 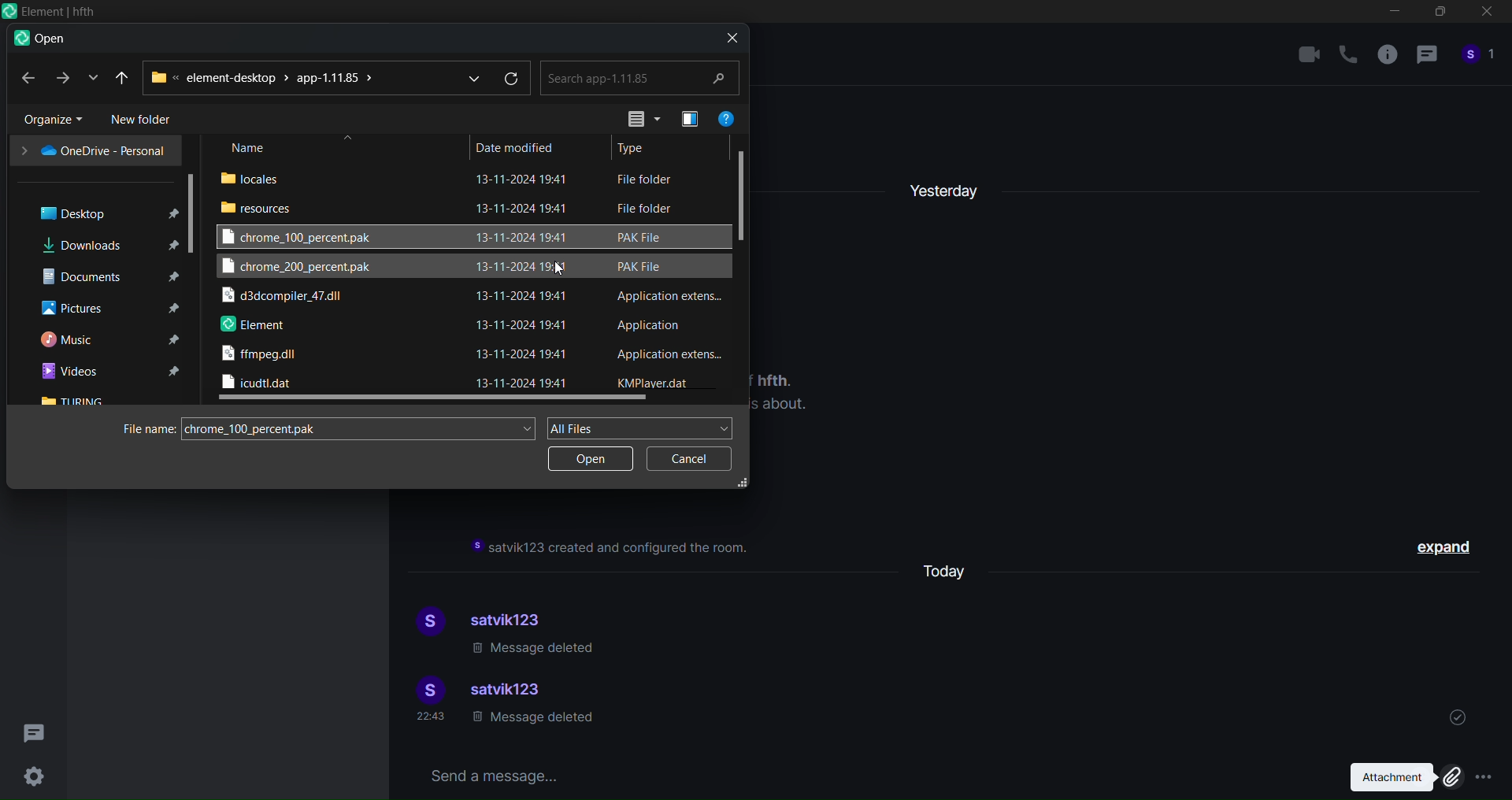 I want to click on attachment, so click(x=1400, y=777).